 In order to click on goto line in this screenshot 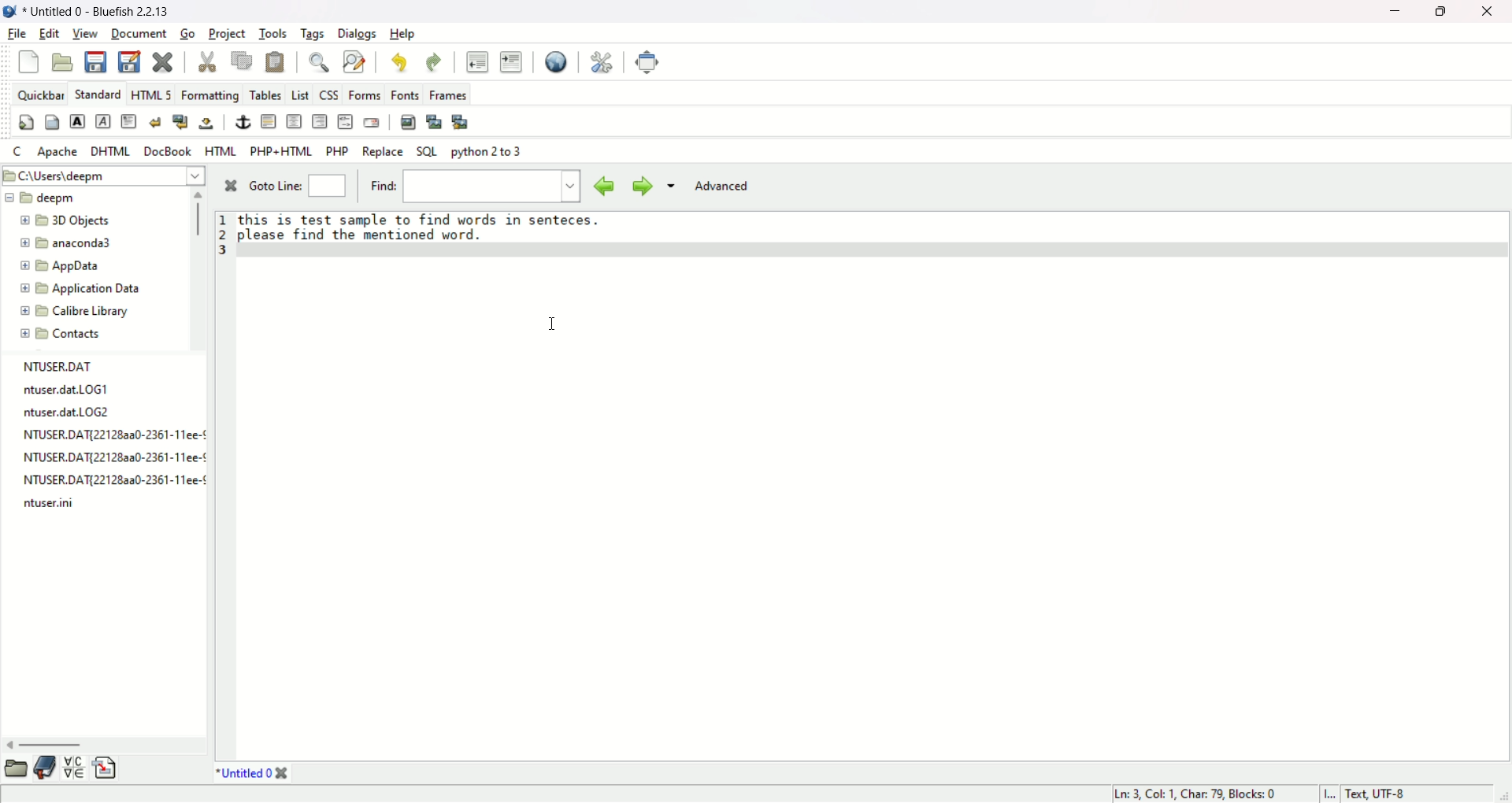, I will do `click(330, 186)`.